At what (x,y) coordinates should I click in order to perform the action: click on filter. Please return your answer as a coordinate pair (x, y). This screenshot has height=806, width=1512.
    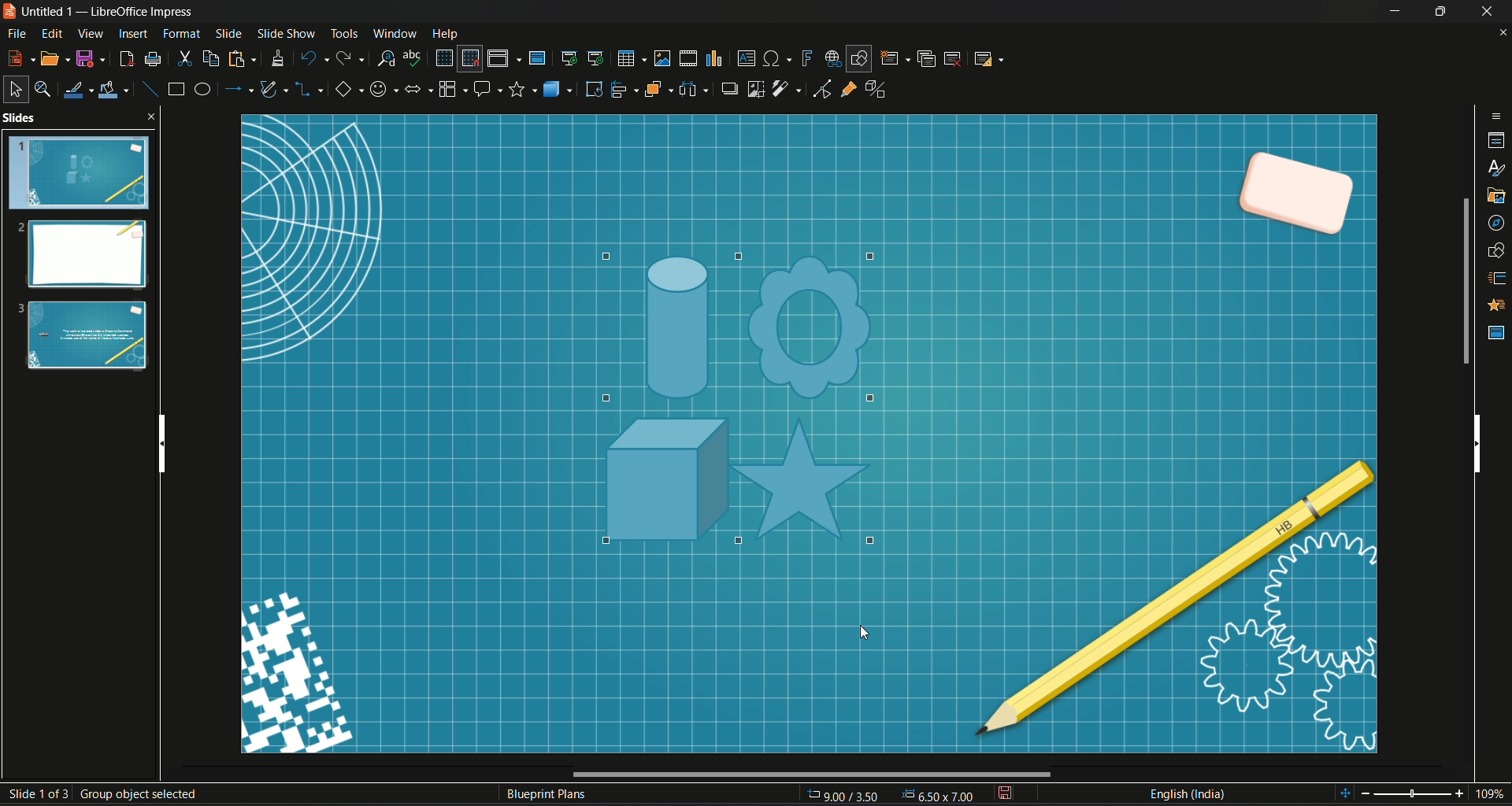
    Looking at the image, I should click on (787, 89).